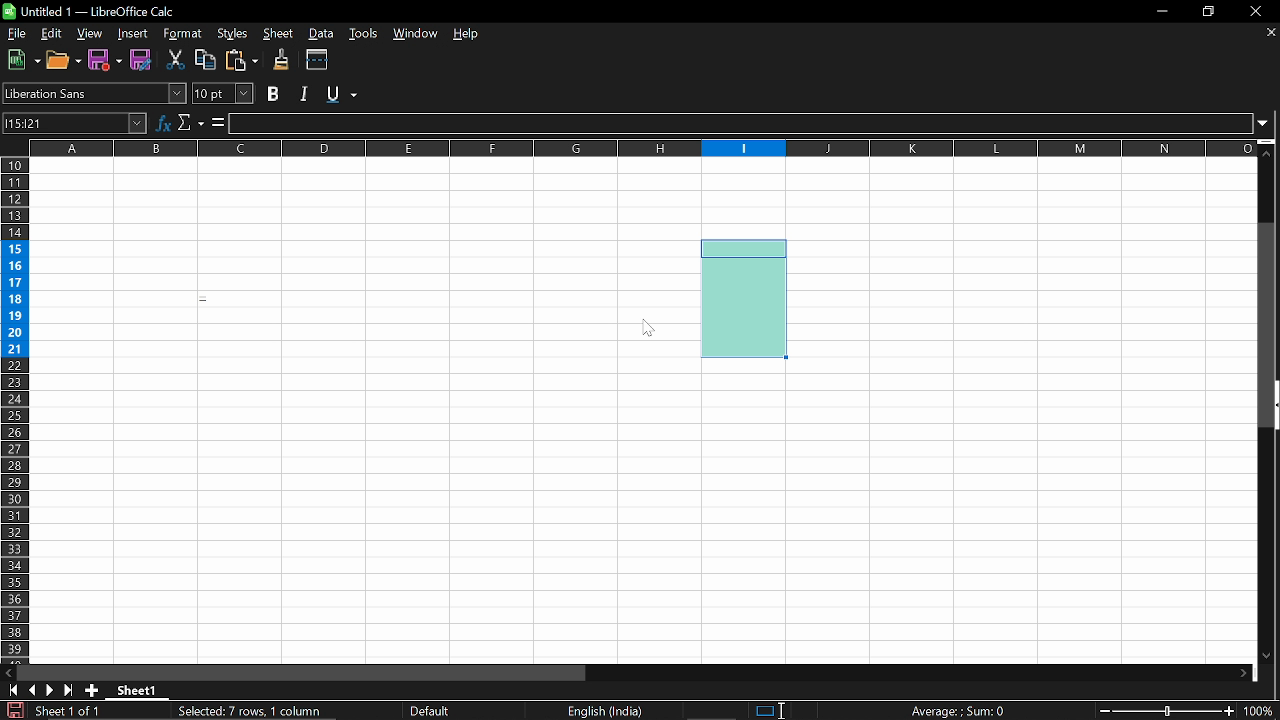  What do you see at coordinates (1269, 34) in the screenshot?
I see `Close sheets` at bounding box center [1269, 34].